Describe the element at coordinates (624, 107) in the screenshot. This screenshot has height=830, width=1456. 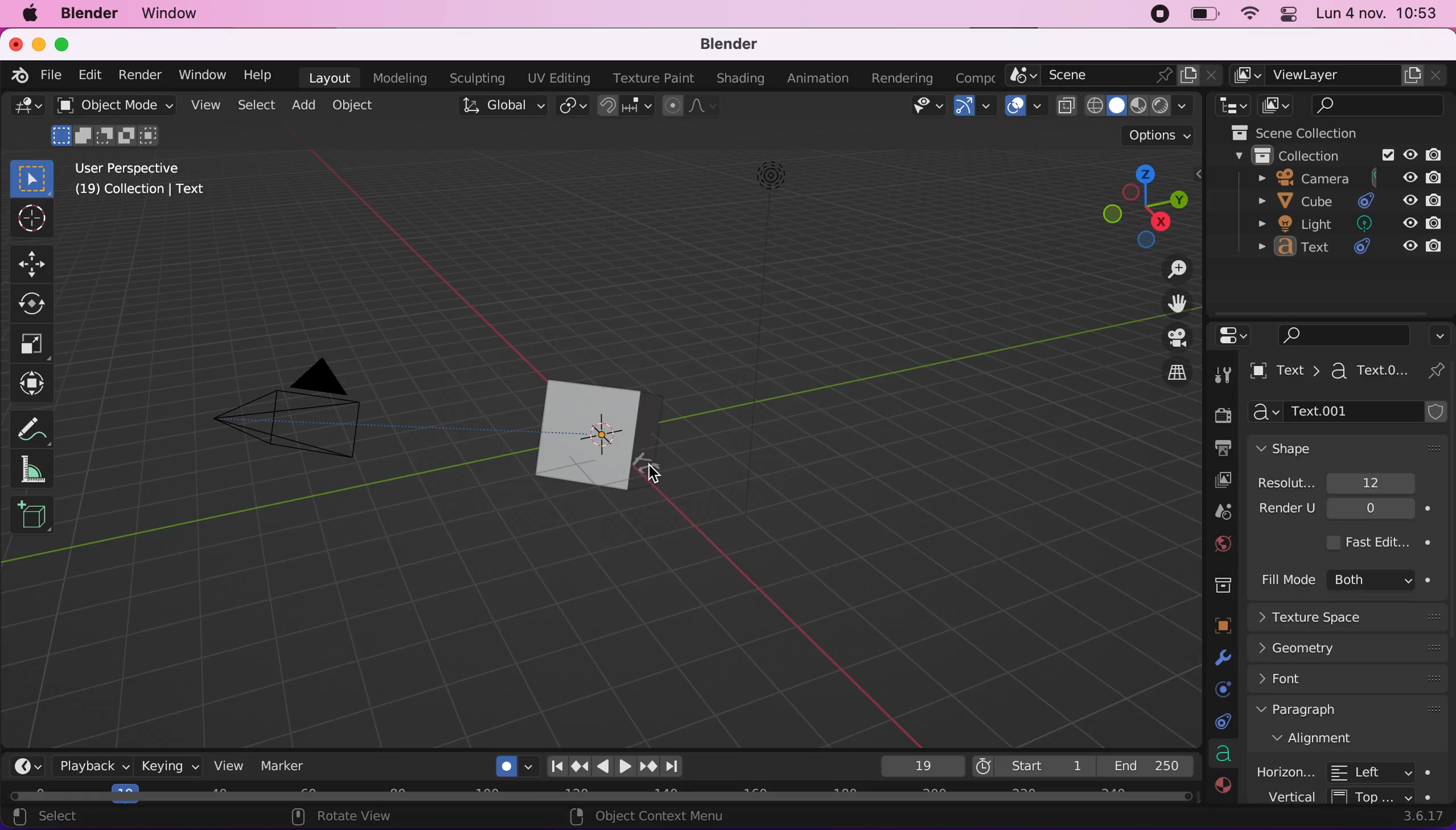
I see `snap` at that location.